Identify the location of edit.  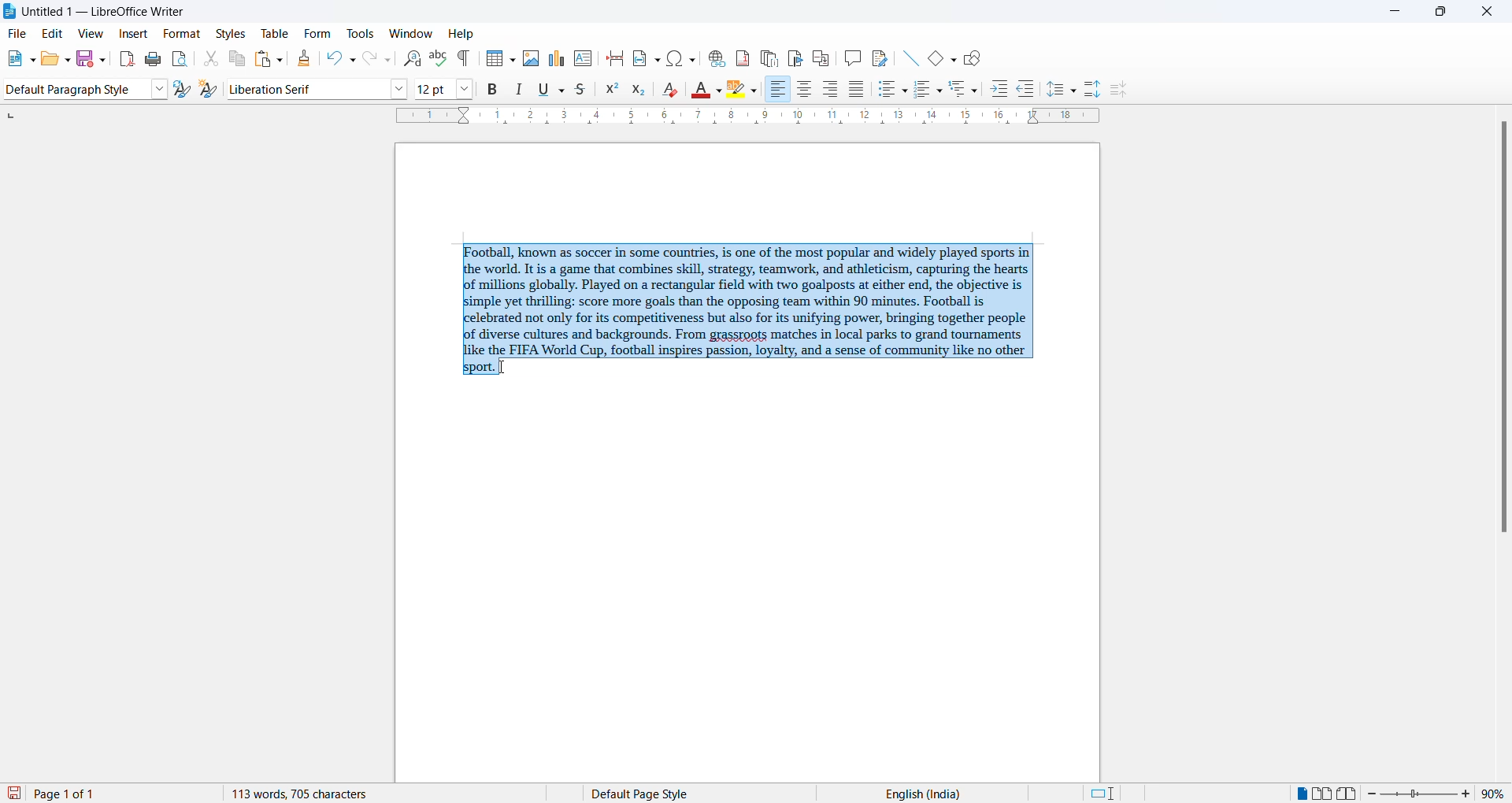
(54, 34).